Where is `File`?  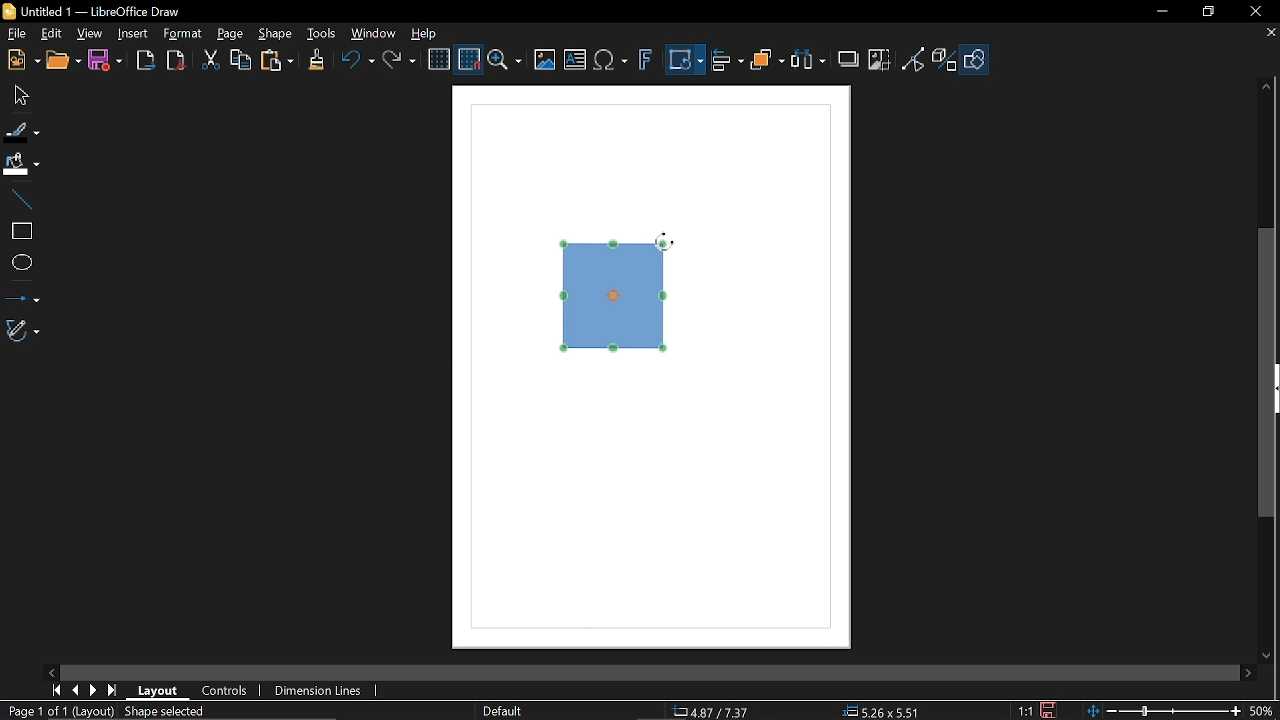
File is located at coordinates (15, 35).